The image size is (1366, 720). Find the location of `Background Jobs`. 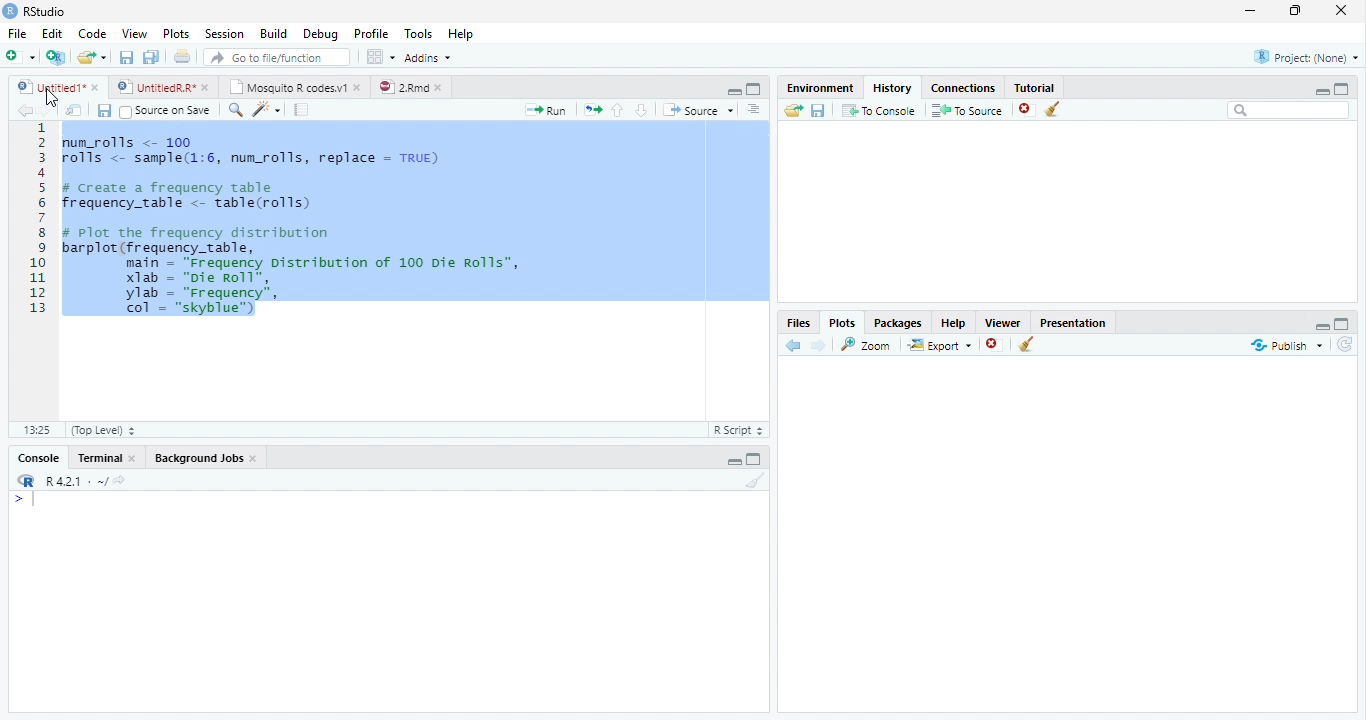

Background Jobs is located at coordinates (207, 456).